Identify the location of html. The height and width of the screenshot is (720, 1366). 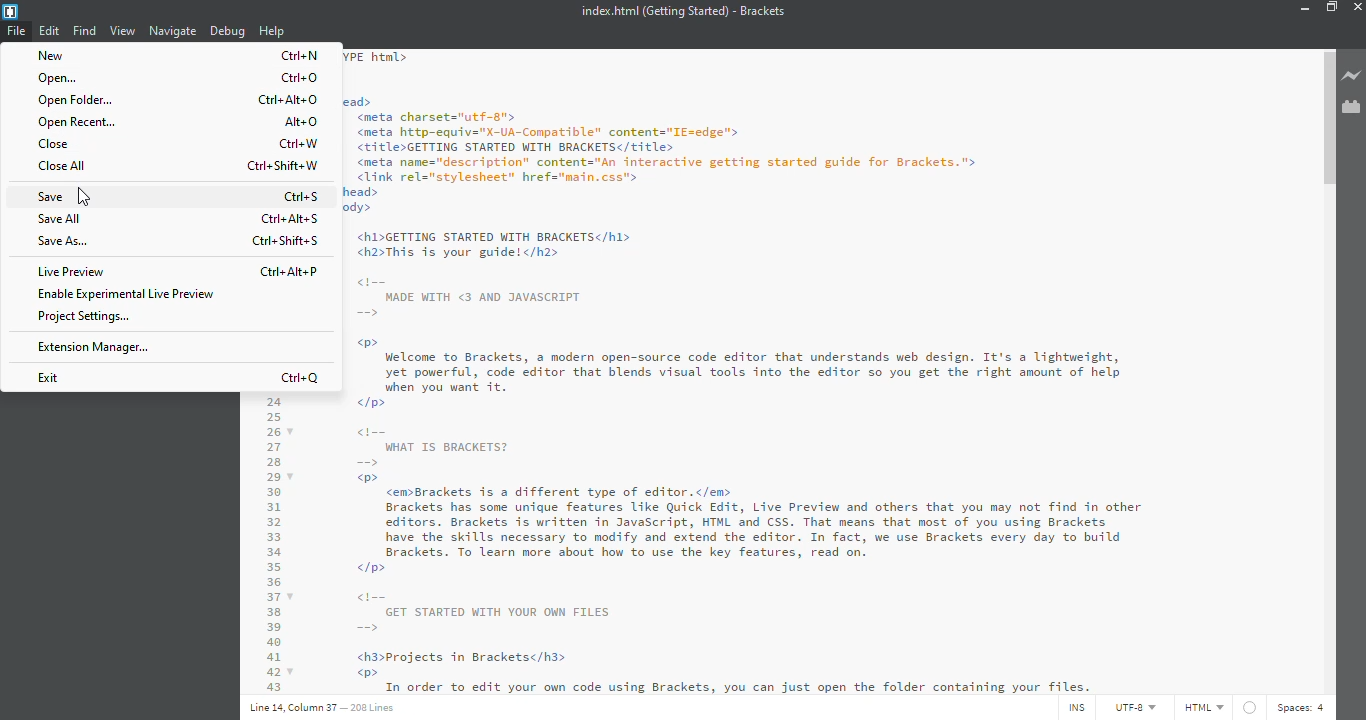
(1204, 708).